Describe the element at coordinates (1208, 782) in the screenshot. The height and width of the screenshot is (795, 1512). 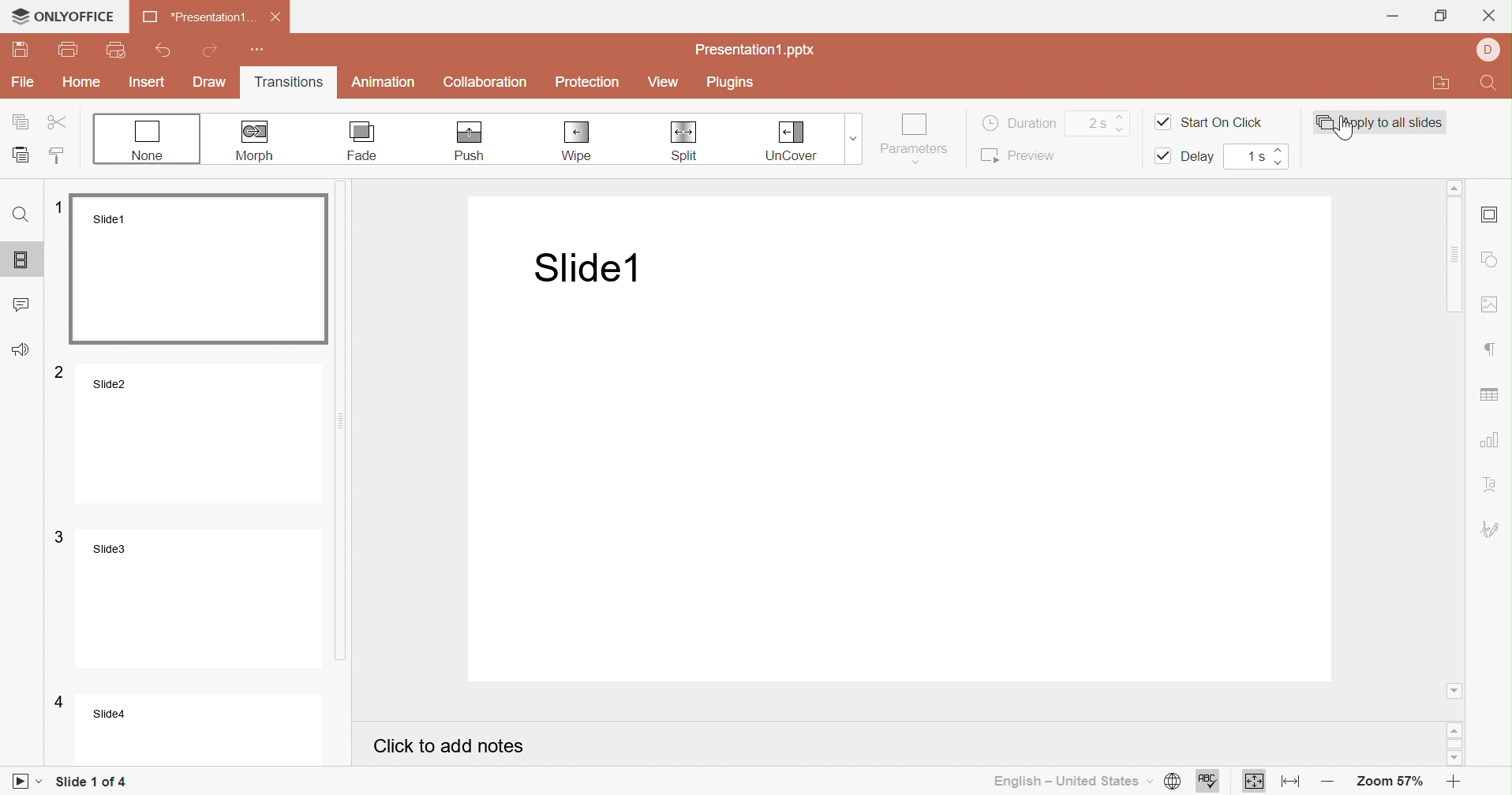
I see `Spell checking` at that location.